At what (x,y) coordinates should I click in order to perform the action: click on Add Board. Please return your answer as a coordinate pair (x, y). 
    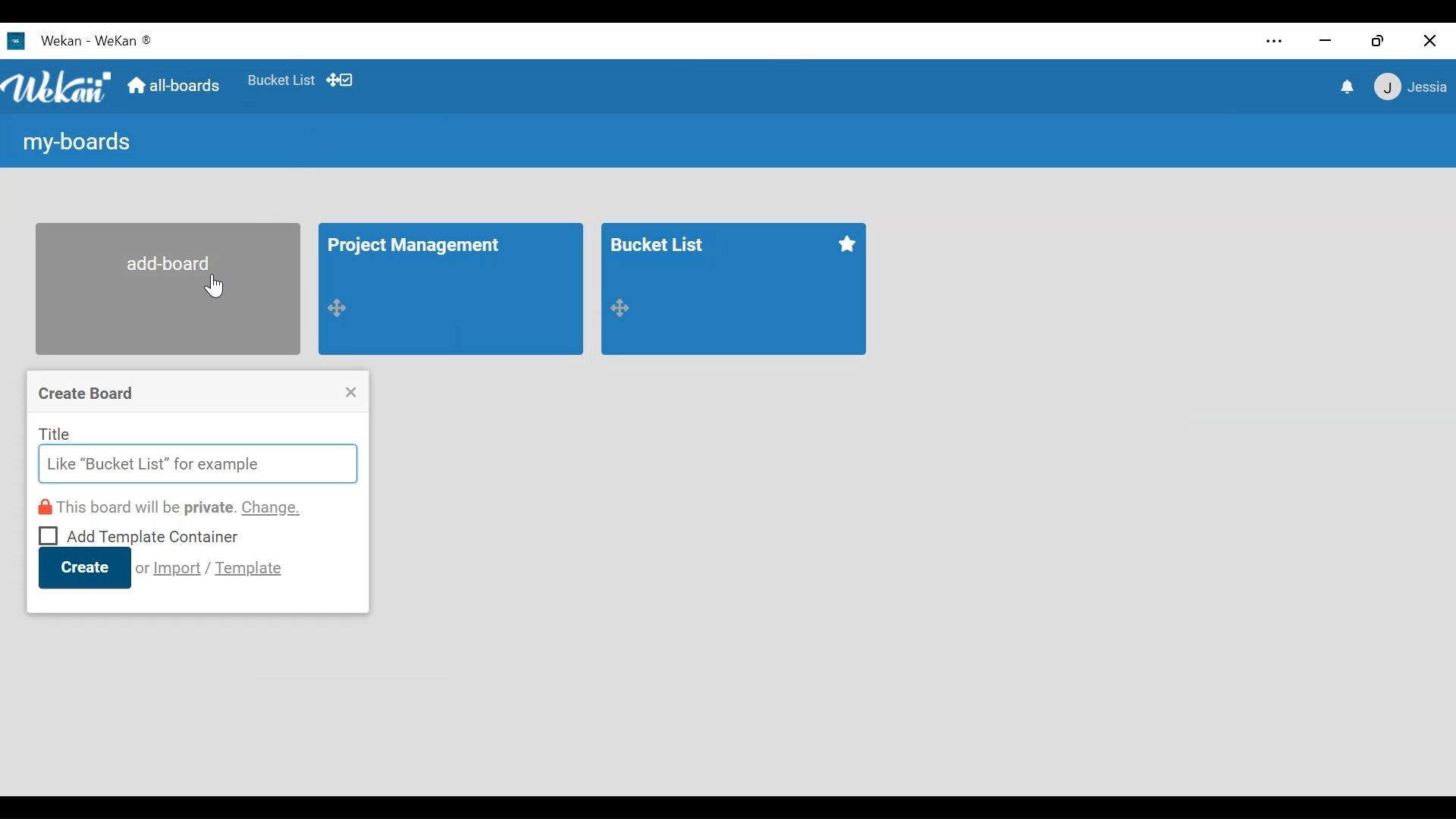
    Looking at the image, I should click on (168, 288).